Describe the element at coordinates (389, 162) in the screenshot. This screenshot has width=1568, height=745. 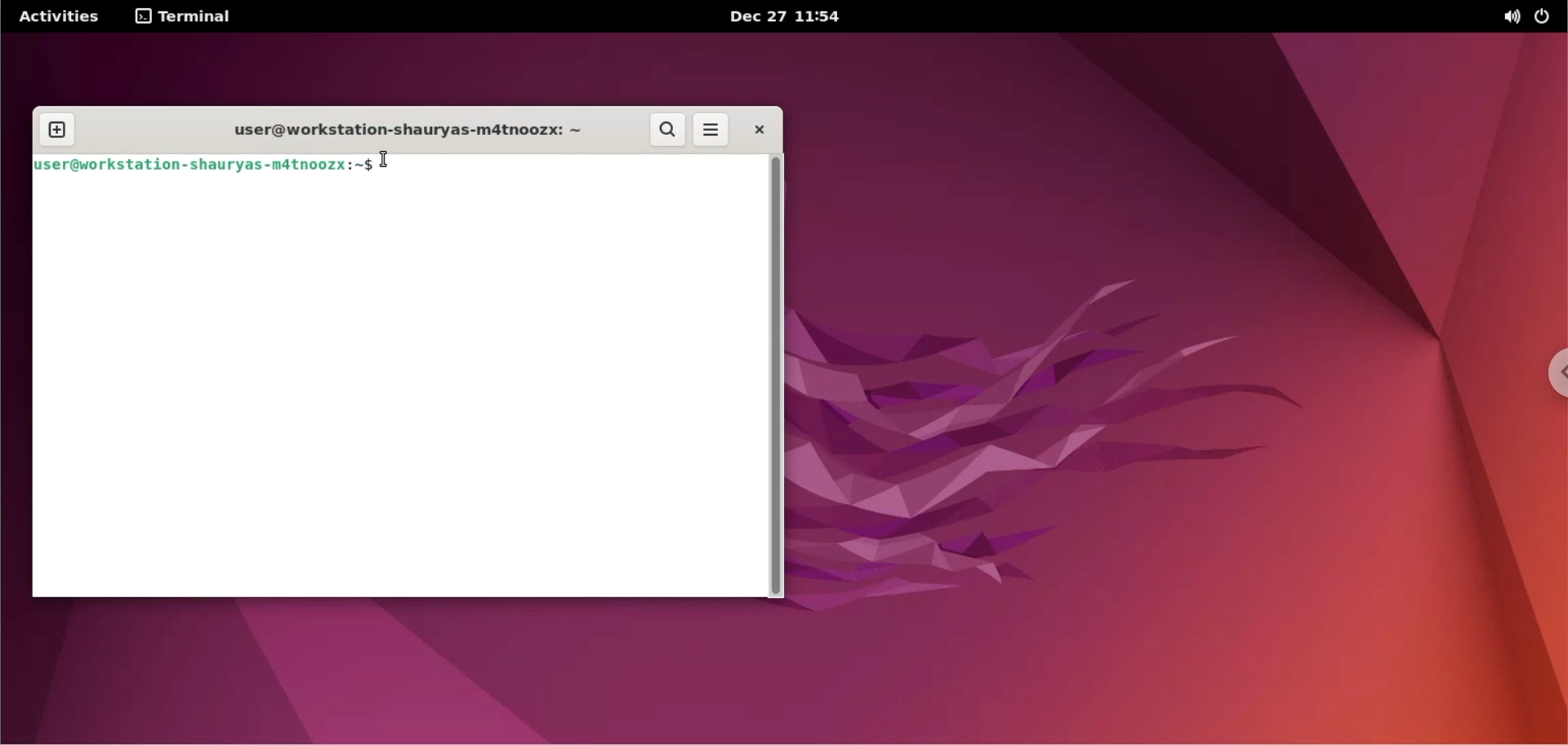
I see `cursor ` at that location.